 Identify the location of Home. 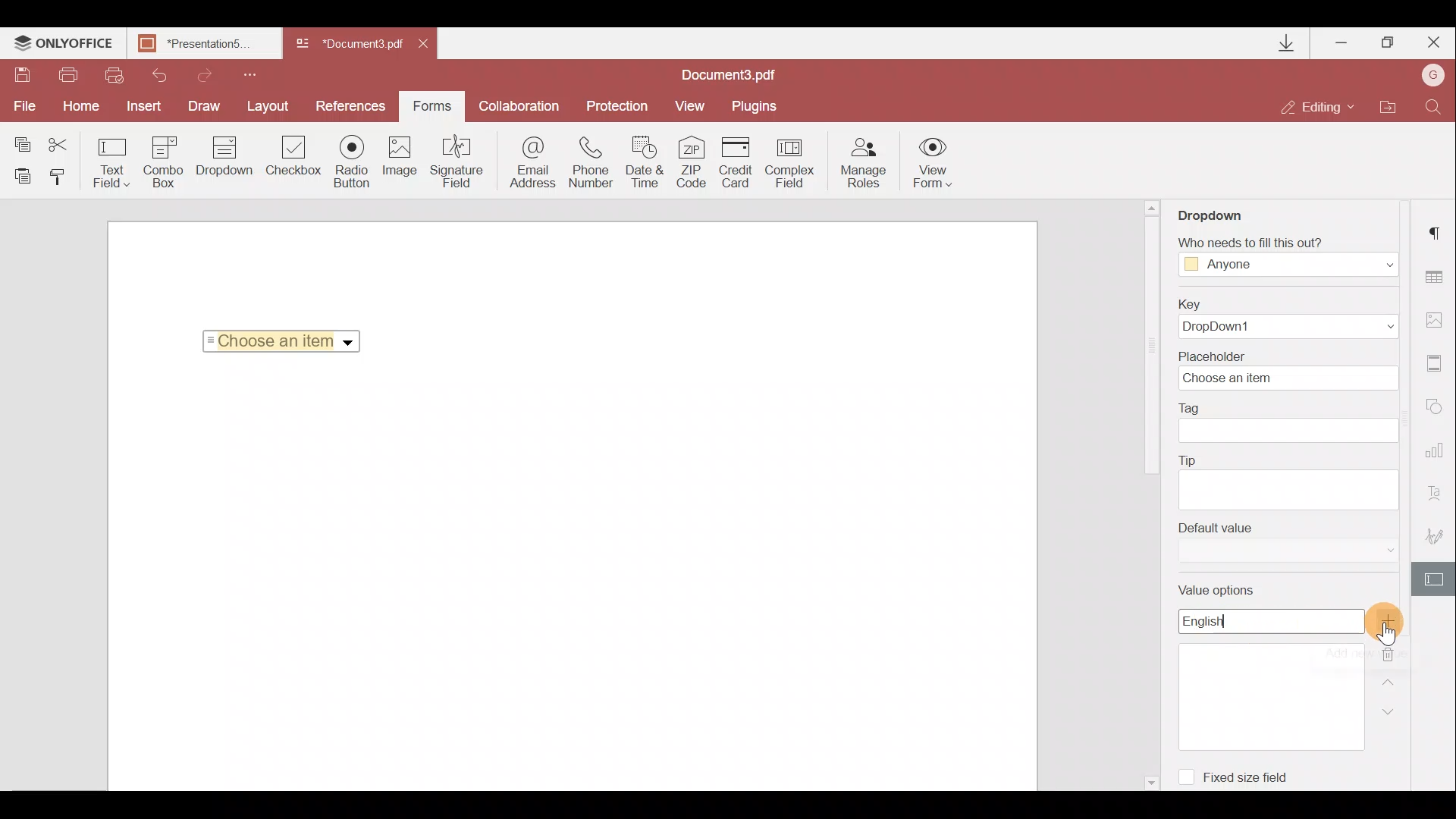
(78, 106).